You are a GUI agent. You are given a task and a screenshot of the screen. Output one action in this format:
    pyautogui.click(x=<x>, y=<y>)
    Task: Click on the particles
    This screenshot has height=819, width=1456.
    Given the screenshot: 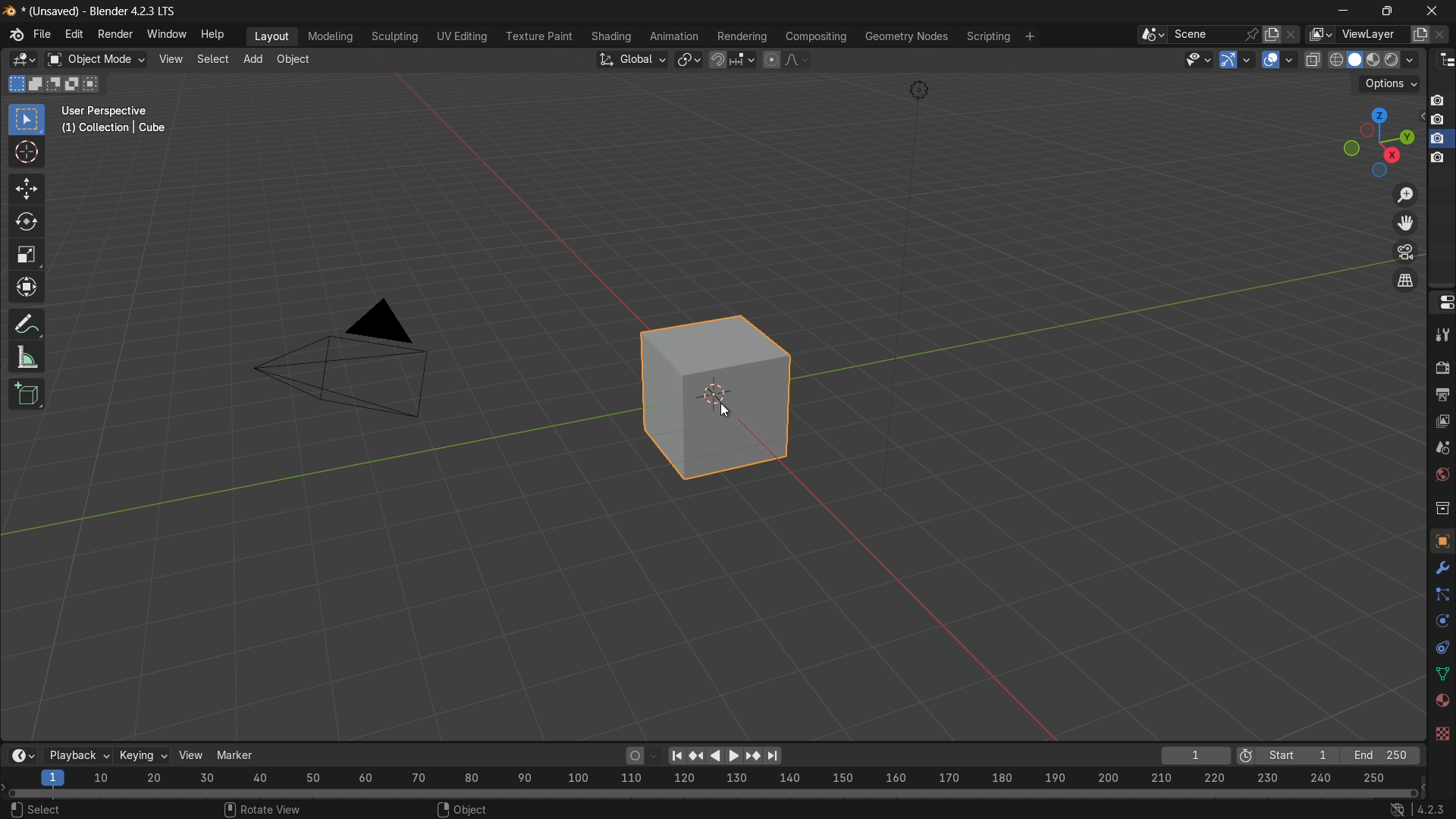 What is the action you would take?
    pyautogui.click(x=1442, y=594)
    